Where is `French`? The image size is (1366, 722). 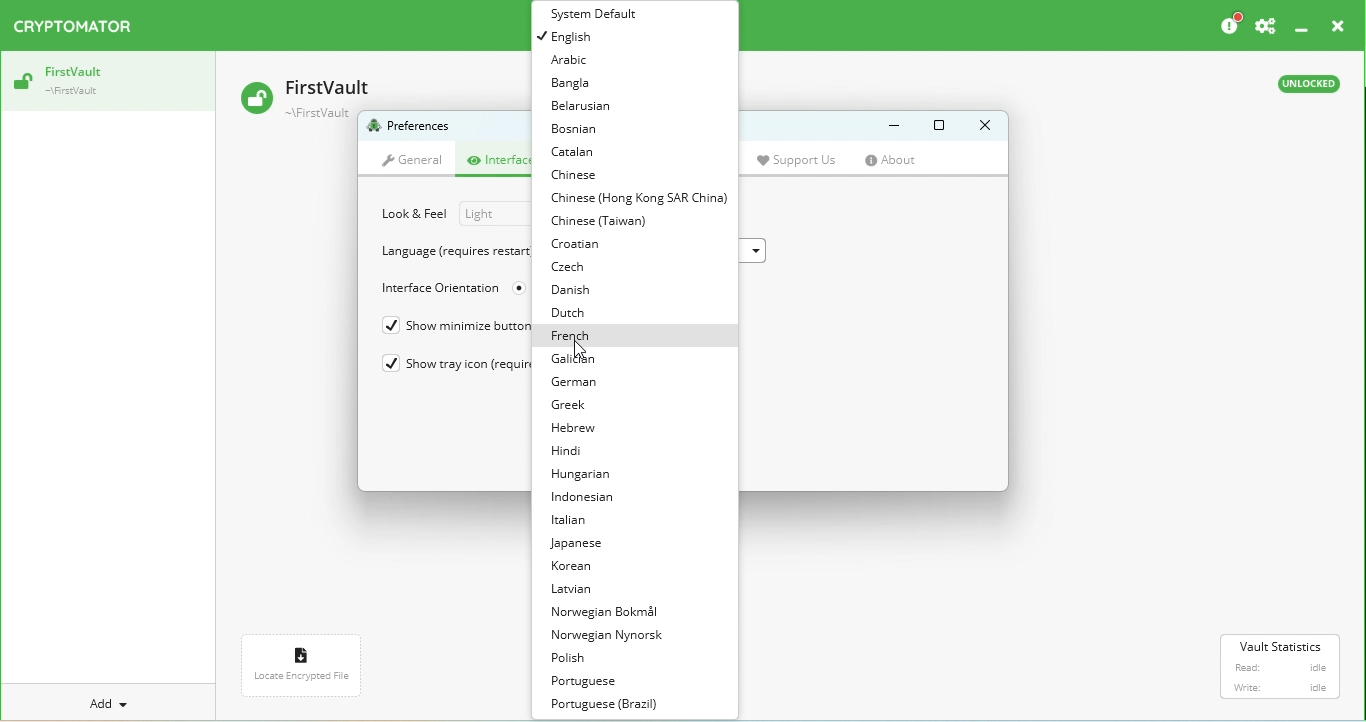 French is located at coordinates (572, 335).